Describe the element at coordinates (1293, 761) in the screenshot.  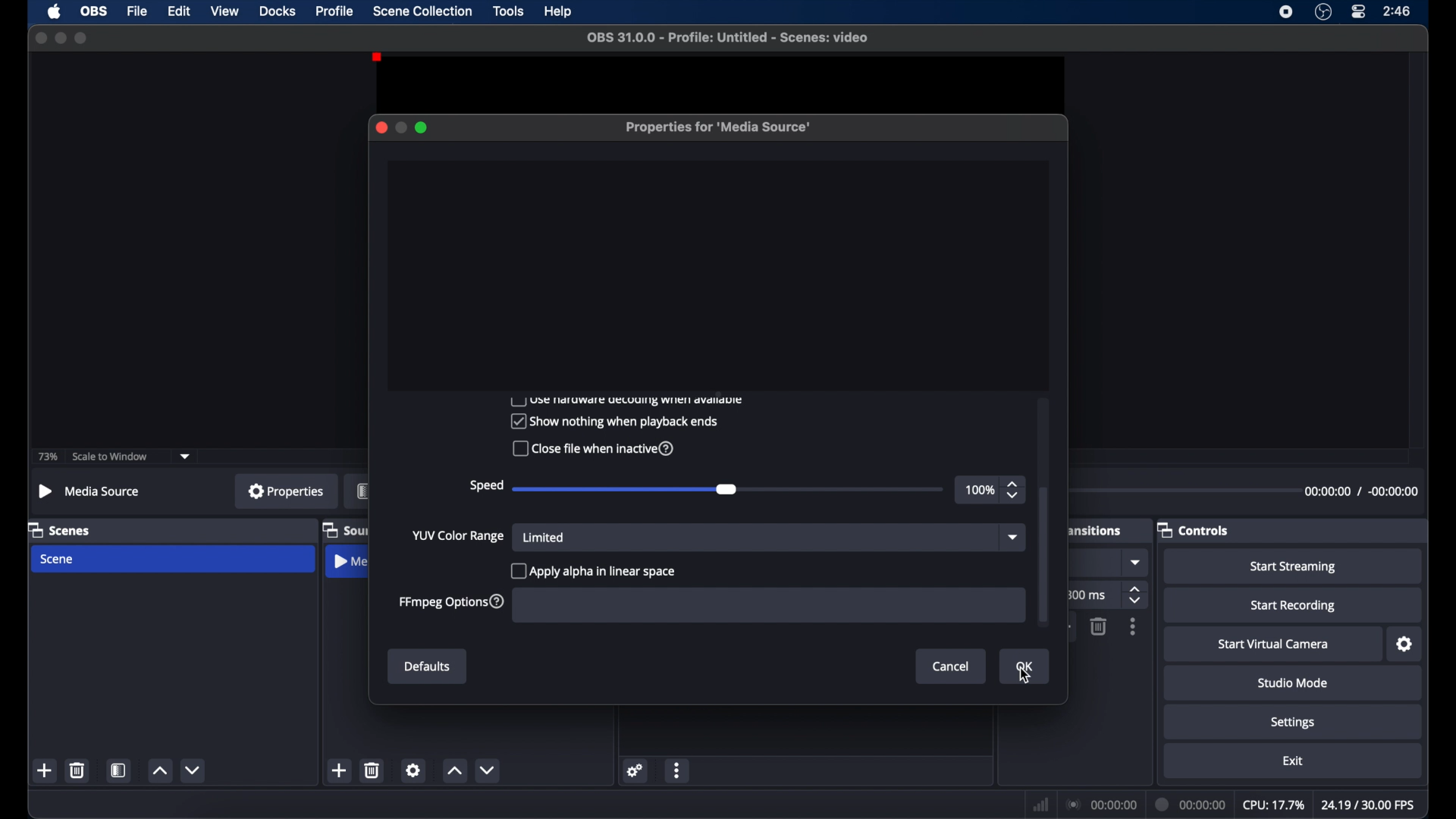
I see `exit` at that location.